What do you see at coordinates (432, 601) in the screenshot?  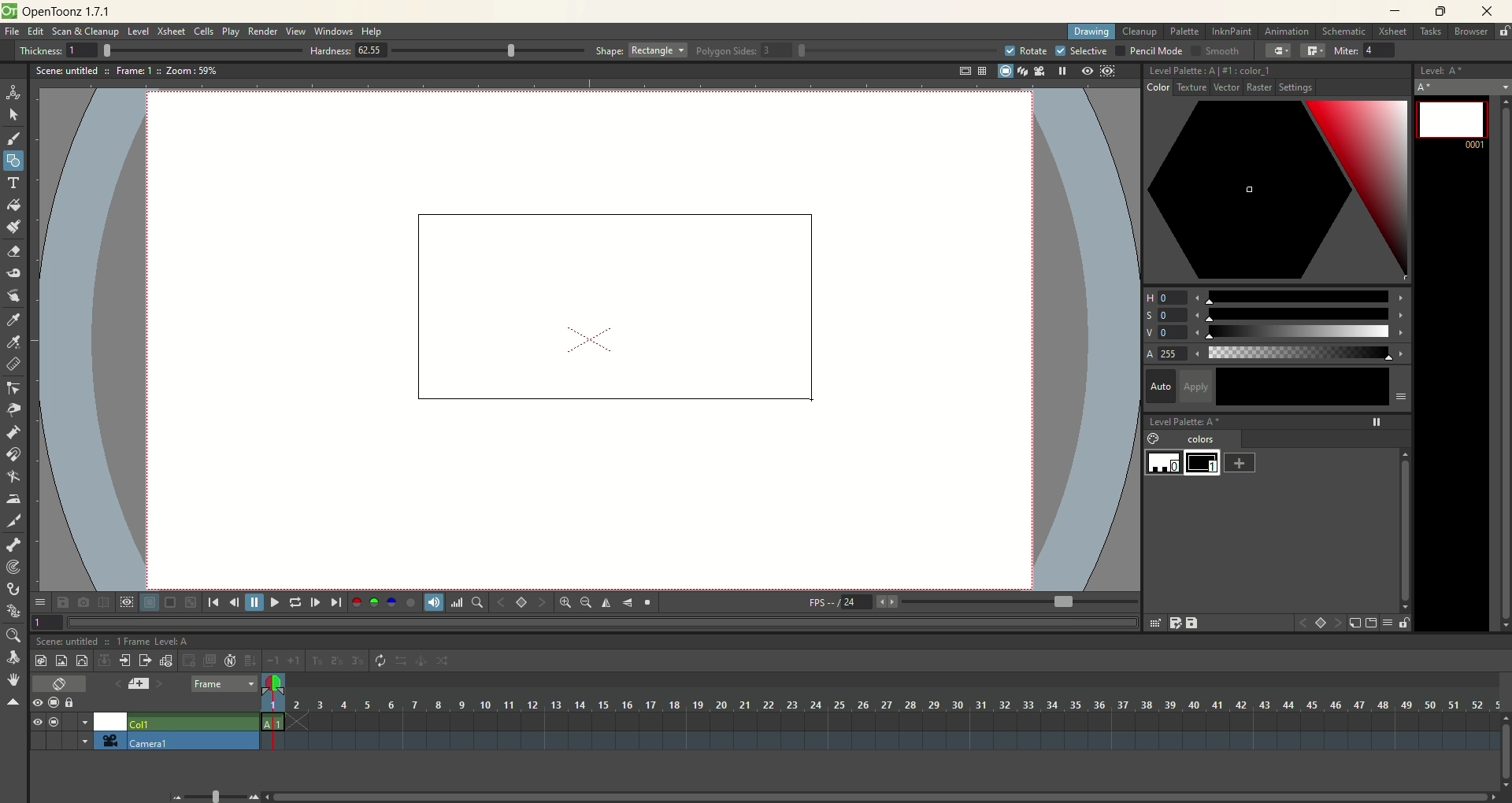 I see `soundtrack` at bounding box center [432, 601].